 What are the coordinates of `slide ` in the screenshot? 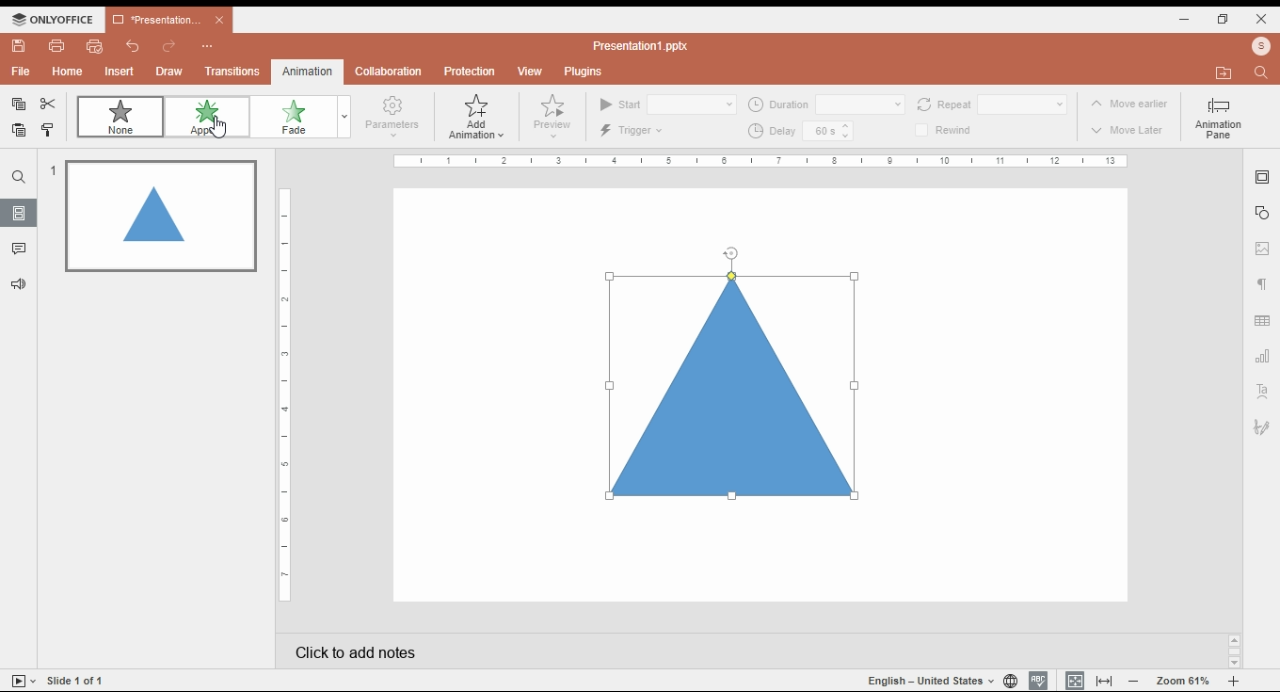 It's located at (74, 680).